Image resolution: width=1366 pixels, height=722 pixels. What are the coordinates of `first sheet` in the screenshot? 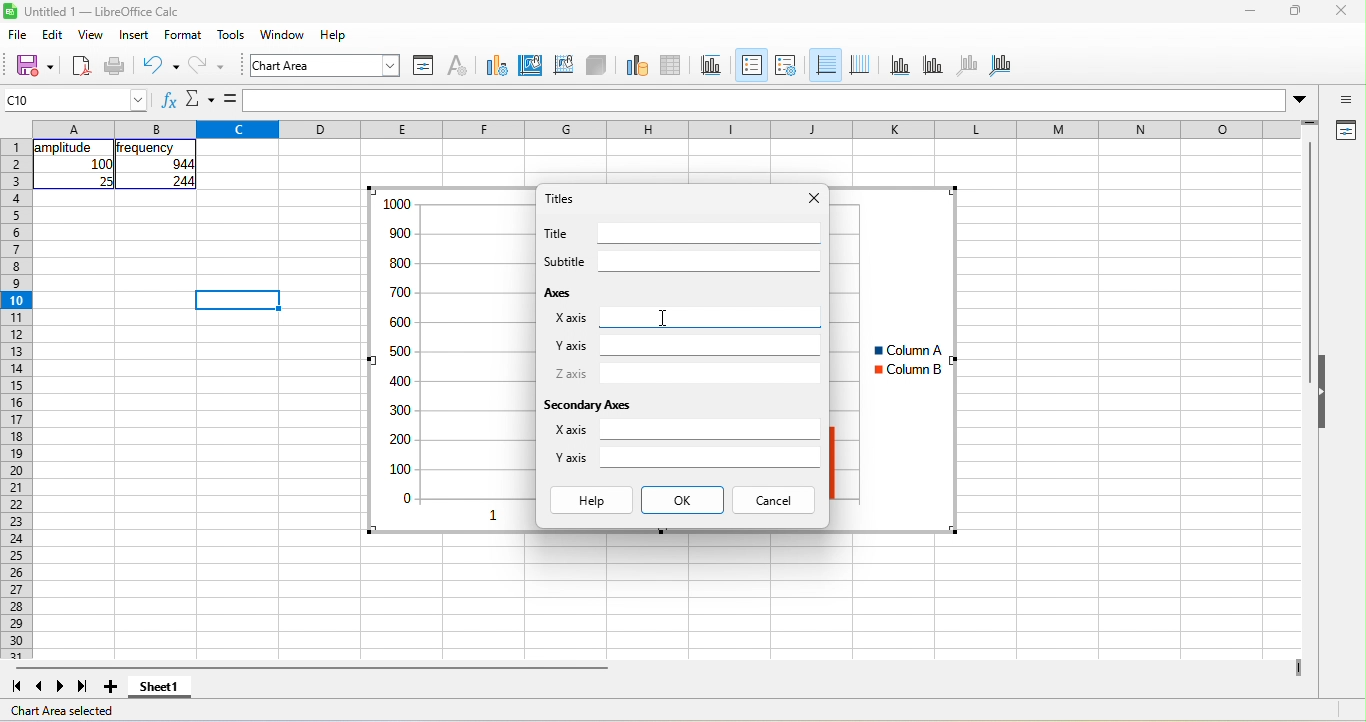 It's located at (16, 687).